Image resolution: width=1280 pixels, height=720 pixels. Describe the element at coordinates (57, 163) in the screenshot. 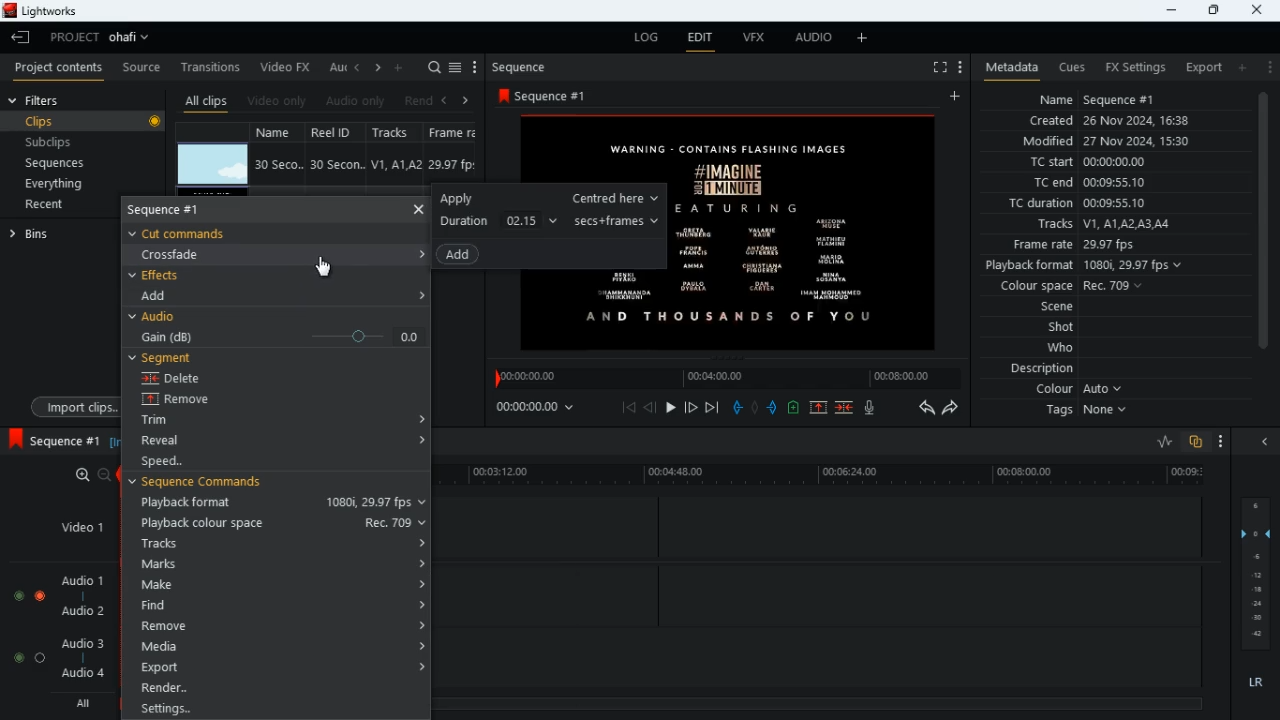

I see `sequences` at that location.